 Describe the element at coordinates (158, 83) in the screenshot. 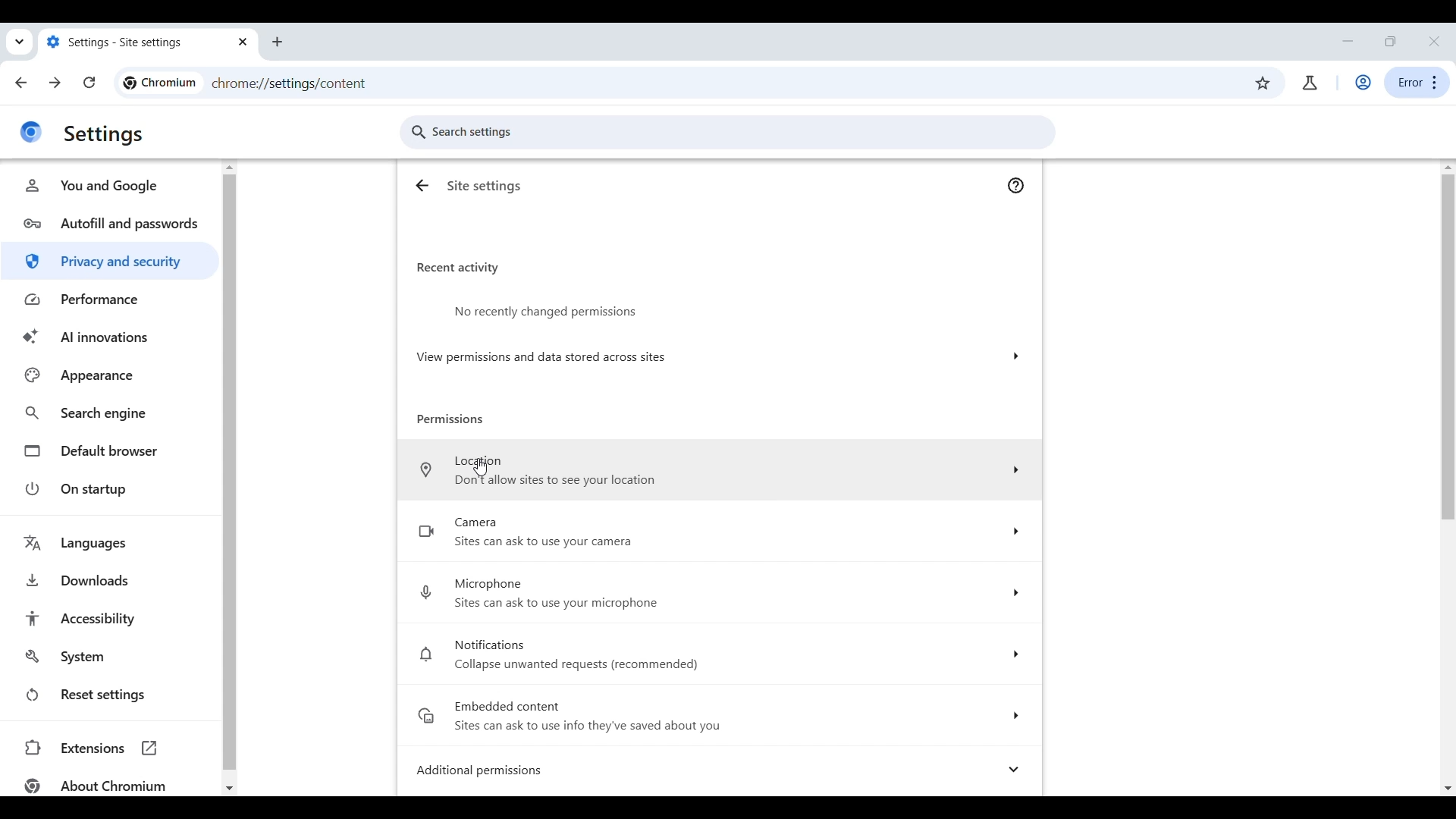

I see `Chromium` at that location.